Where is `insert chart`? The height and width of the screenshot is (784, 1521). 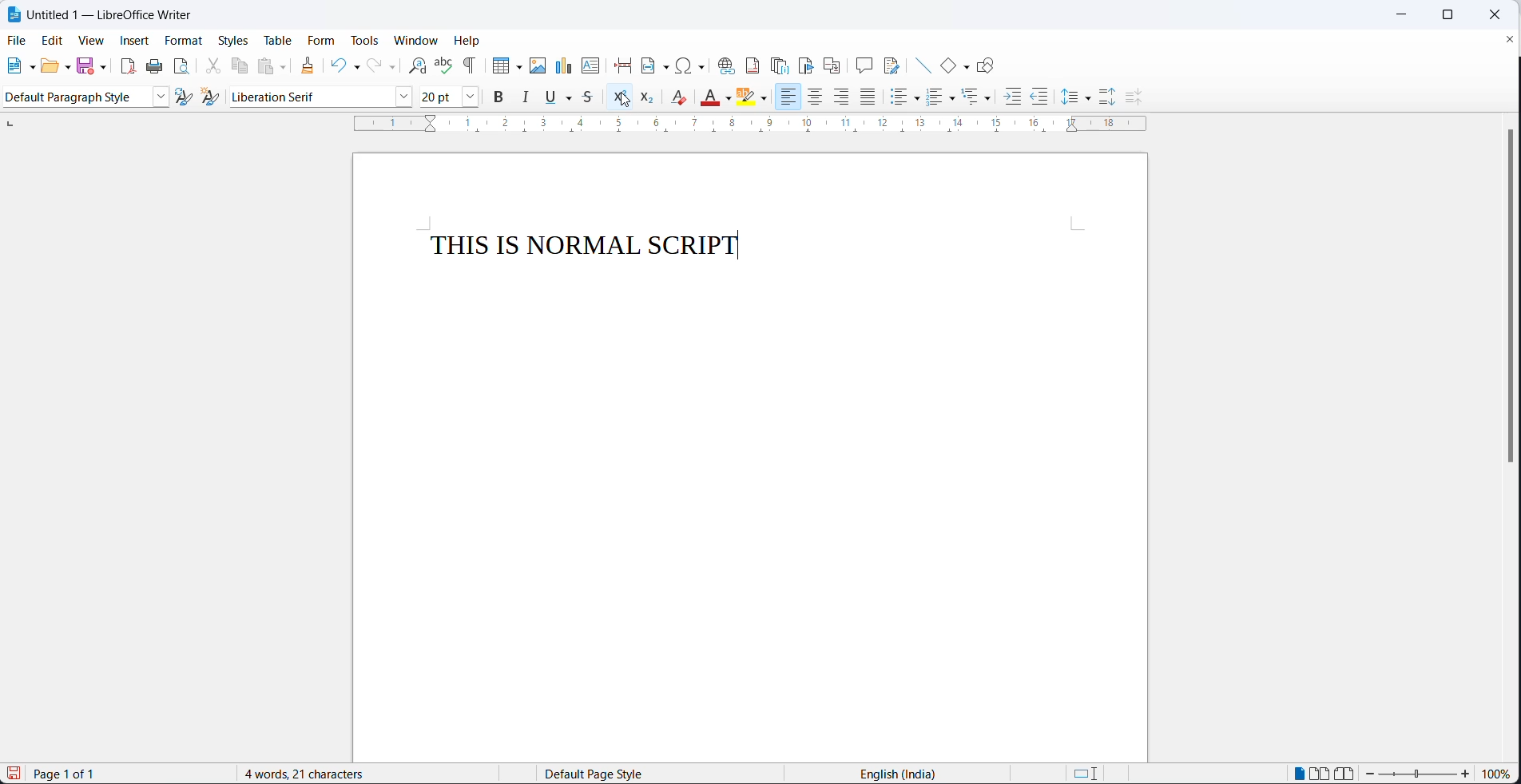
insert chart is located at coordinates (563, 65).